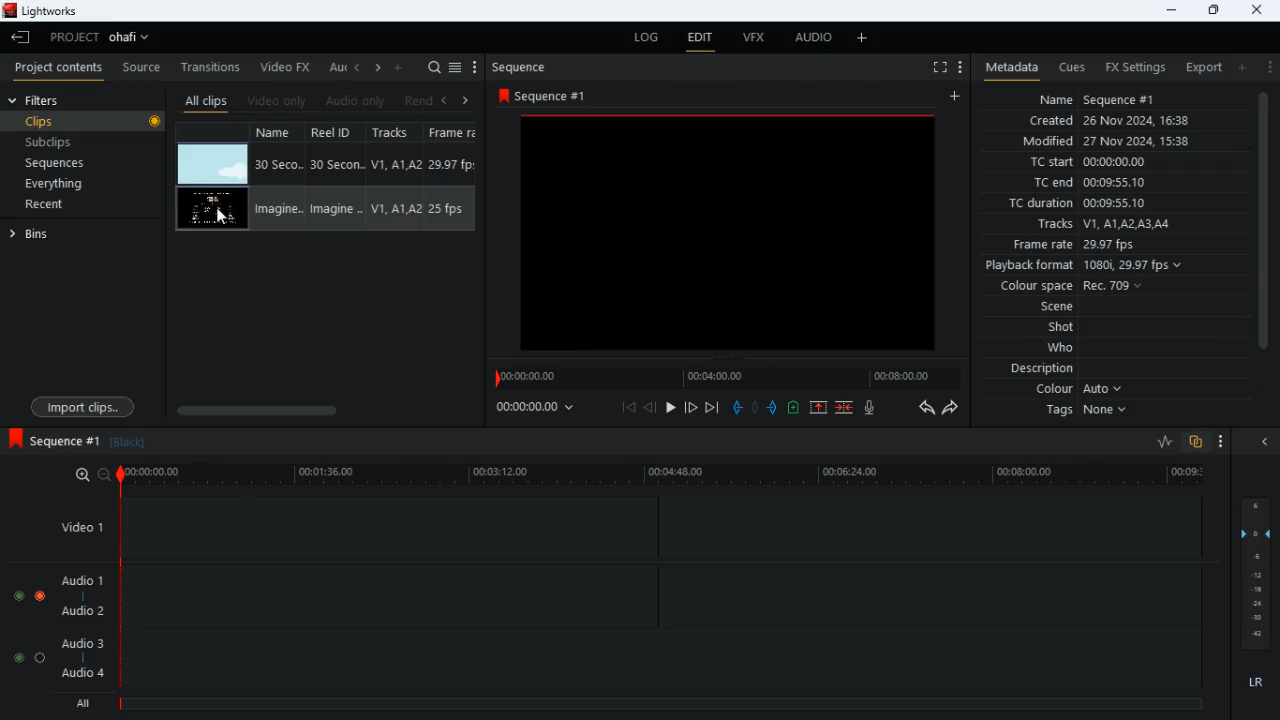 The width and height of the screenshot is (1280, 720). What do you see at coordinates (819, 408) in the screenshot?
I see `up` at bounding box center [819, 408].